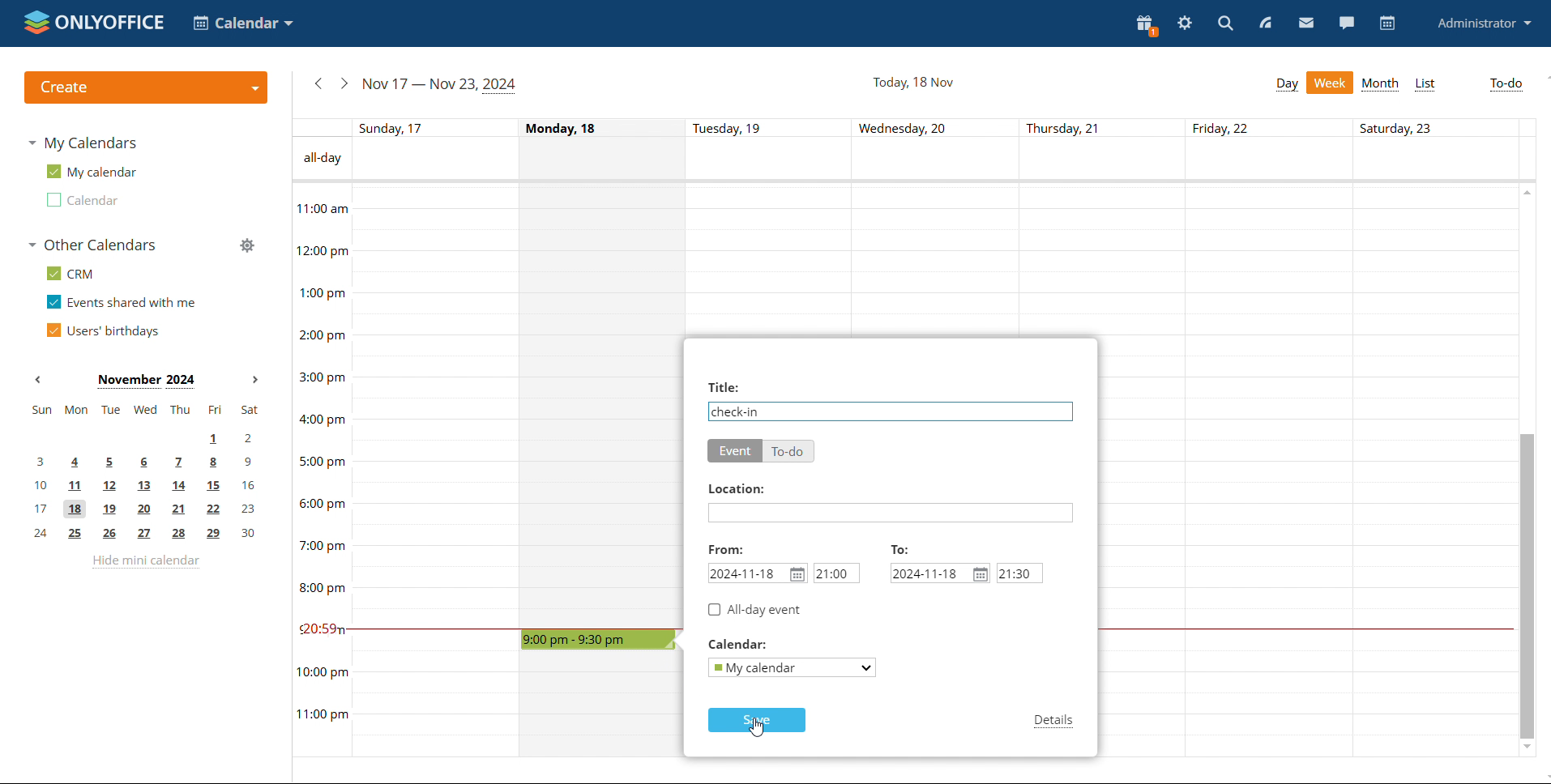 The height and width of the screenshot is (784, 1551). Describe the element at coordinates (1387, 23) in the screenshot. I see `calendar` at that location.